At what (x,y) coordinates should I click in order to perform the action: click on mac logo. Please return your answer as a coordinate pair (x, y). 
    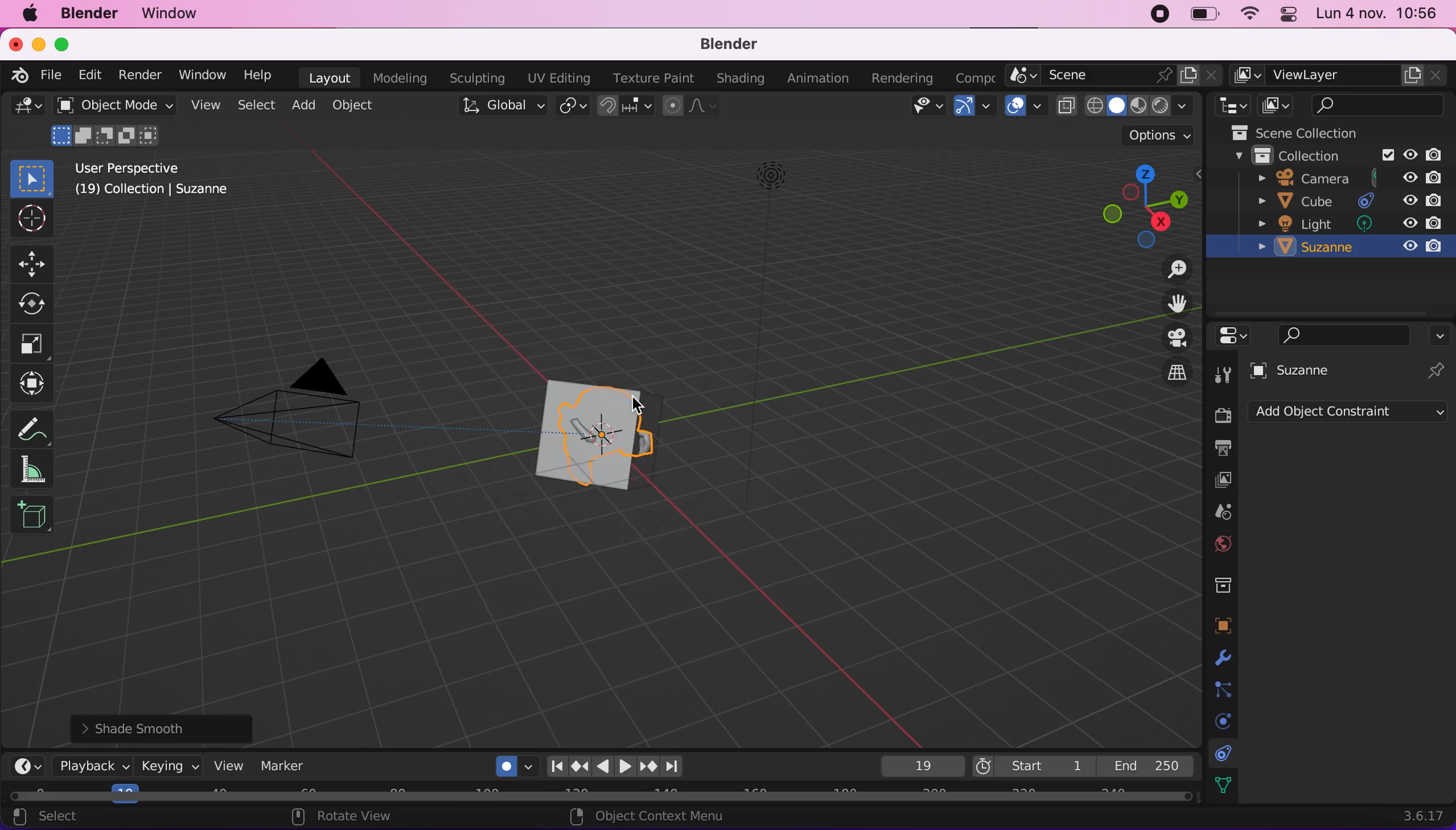
    Looking at the image, I should click on (29, 13).